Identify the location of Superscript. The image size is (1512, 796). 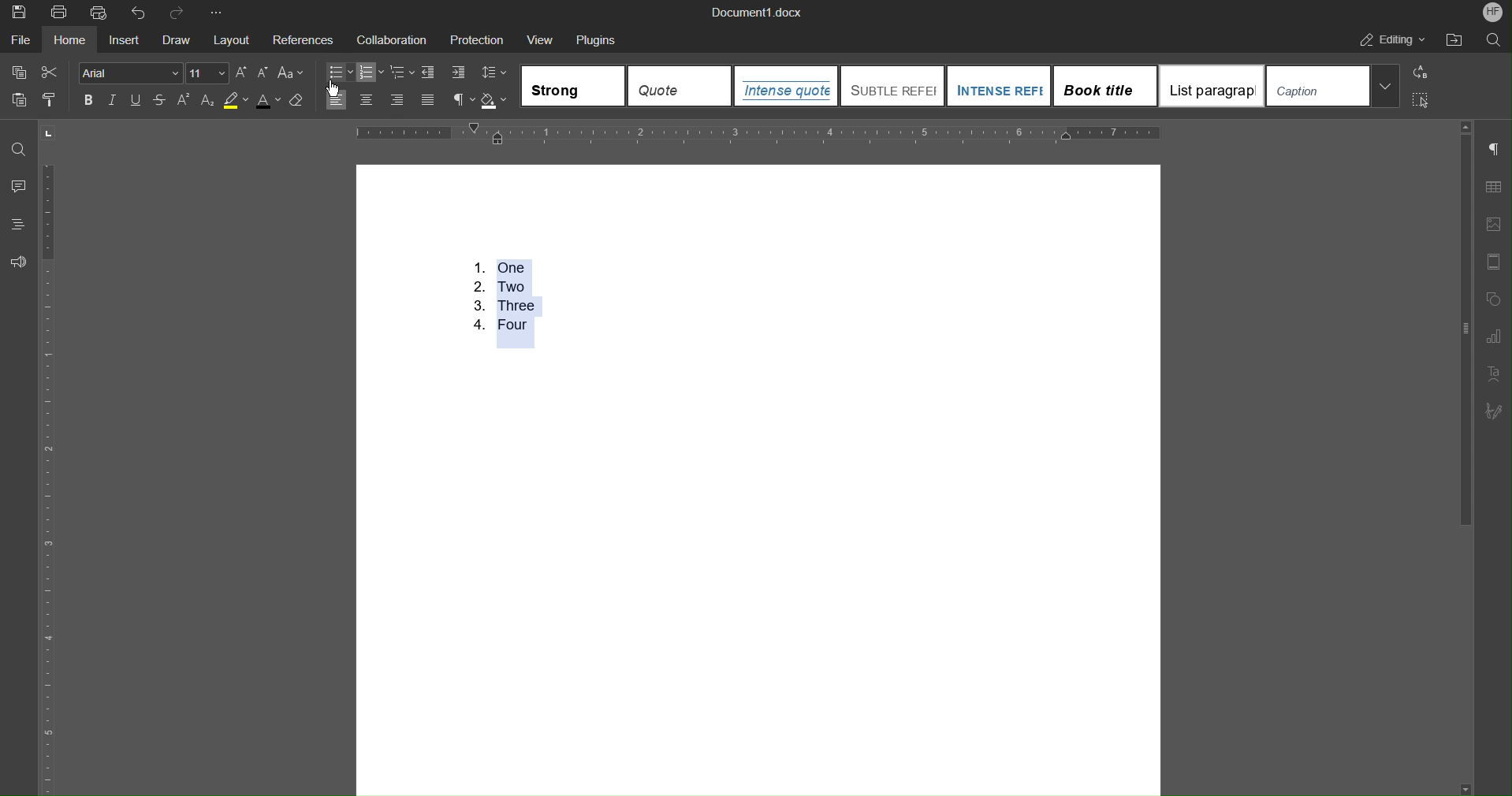
(186, 101).